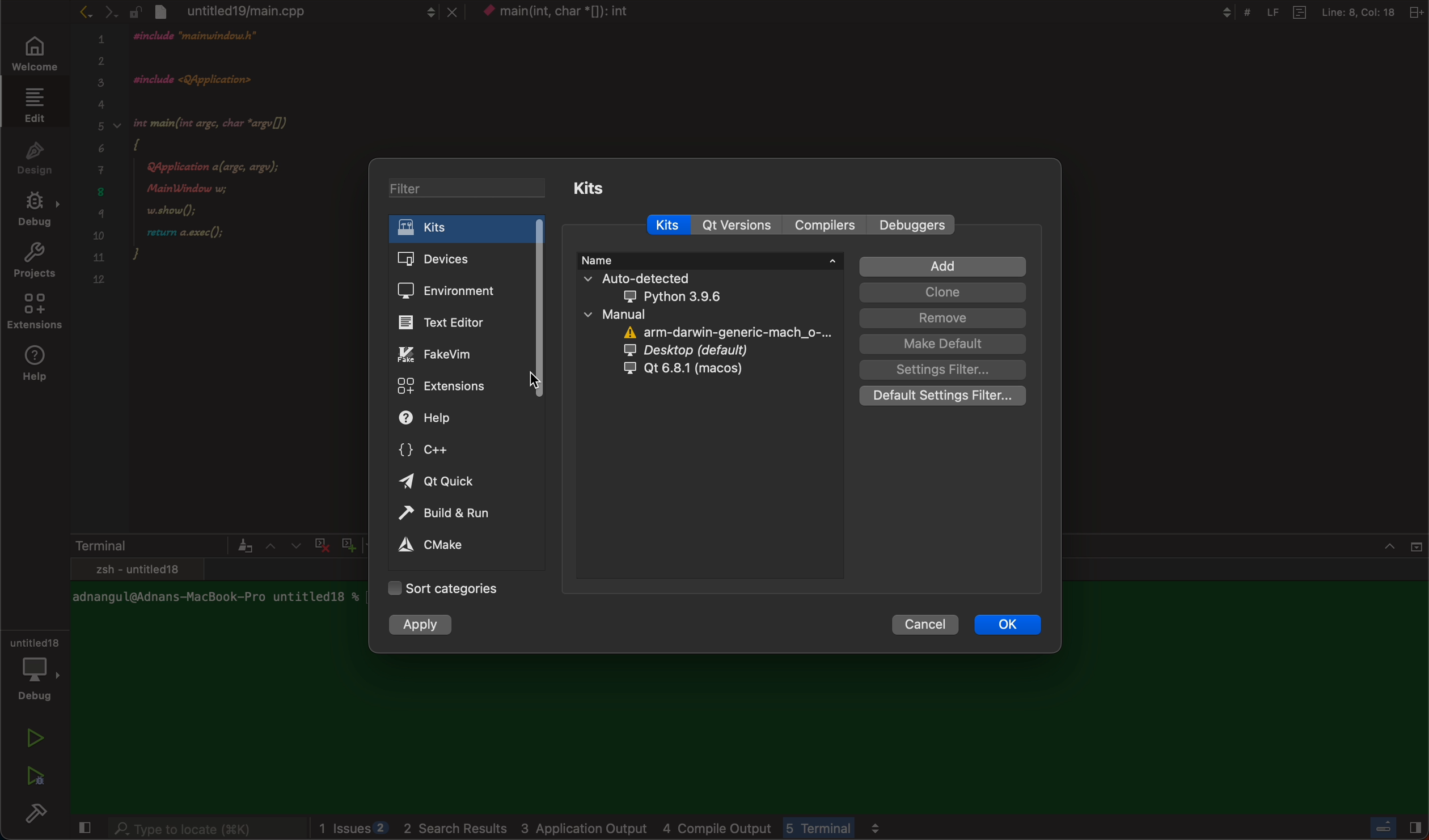  What do you see at coordinates (555, 12) in the screenshot?
I see `context` at bounding box center [555, 12].